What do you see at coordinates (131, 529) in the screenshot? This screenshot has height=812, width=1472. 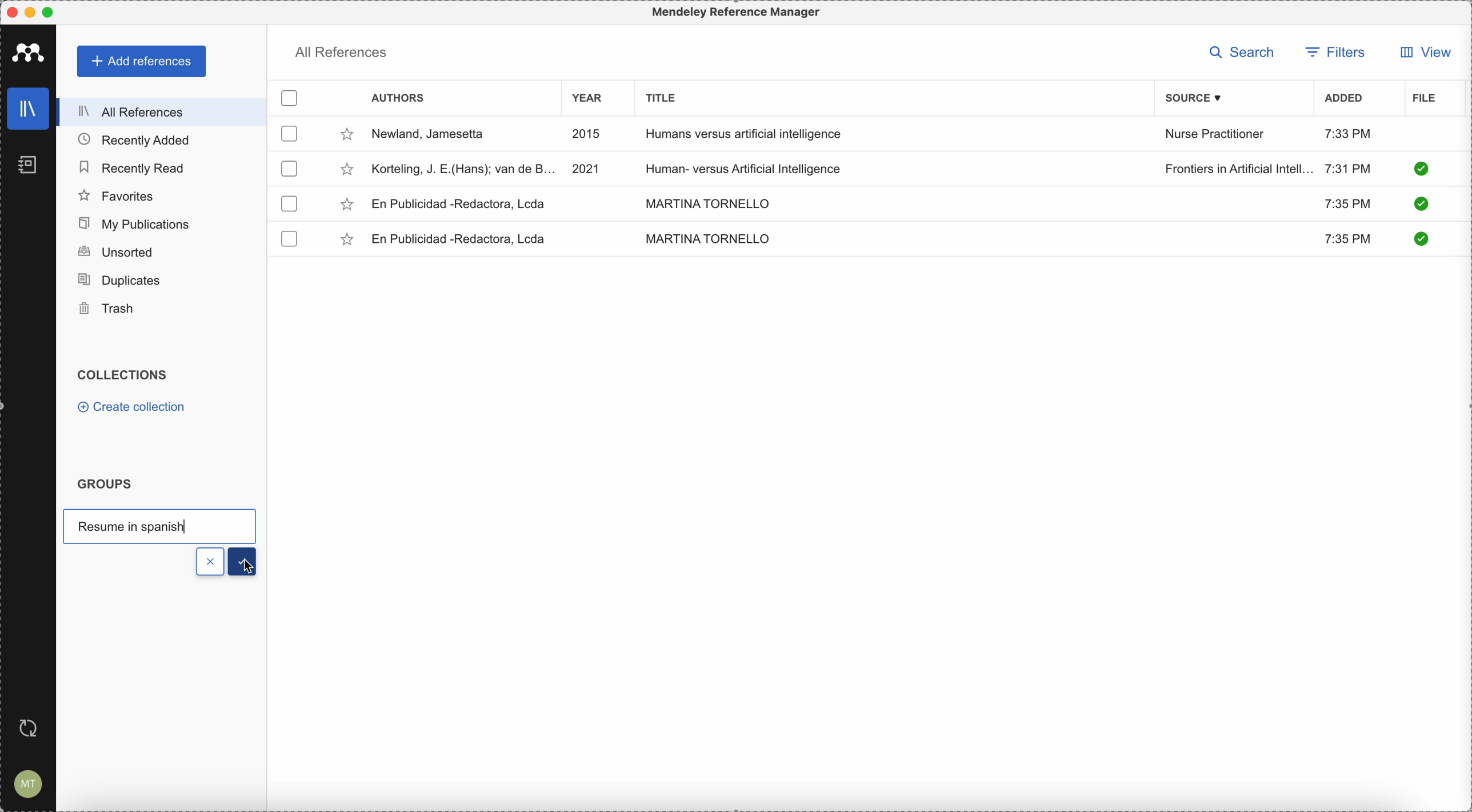 I see `resume in spanish` at bounding box center [131, 529].